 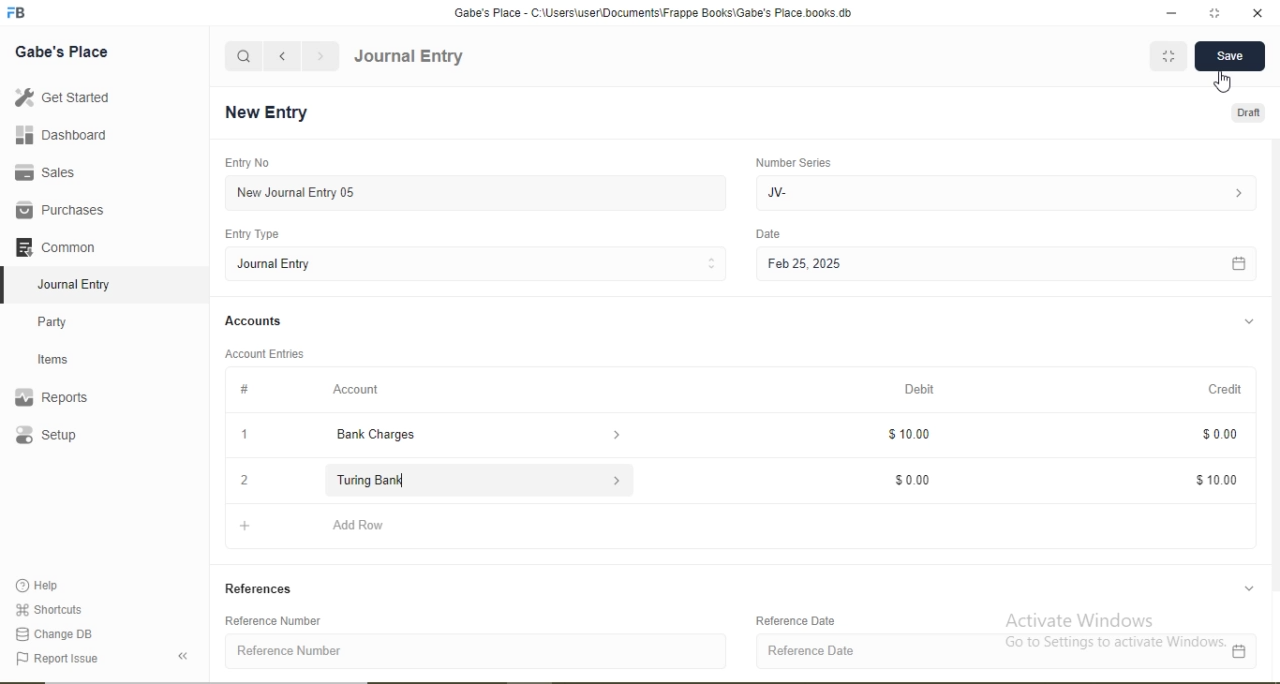 I want to click on $10.00, so click(x=910, y=434).